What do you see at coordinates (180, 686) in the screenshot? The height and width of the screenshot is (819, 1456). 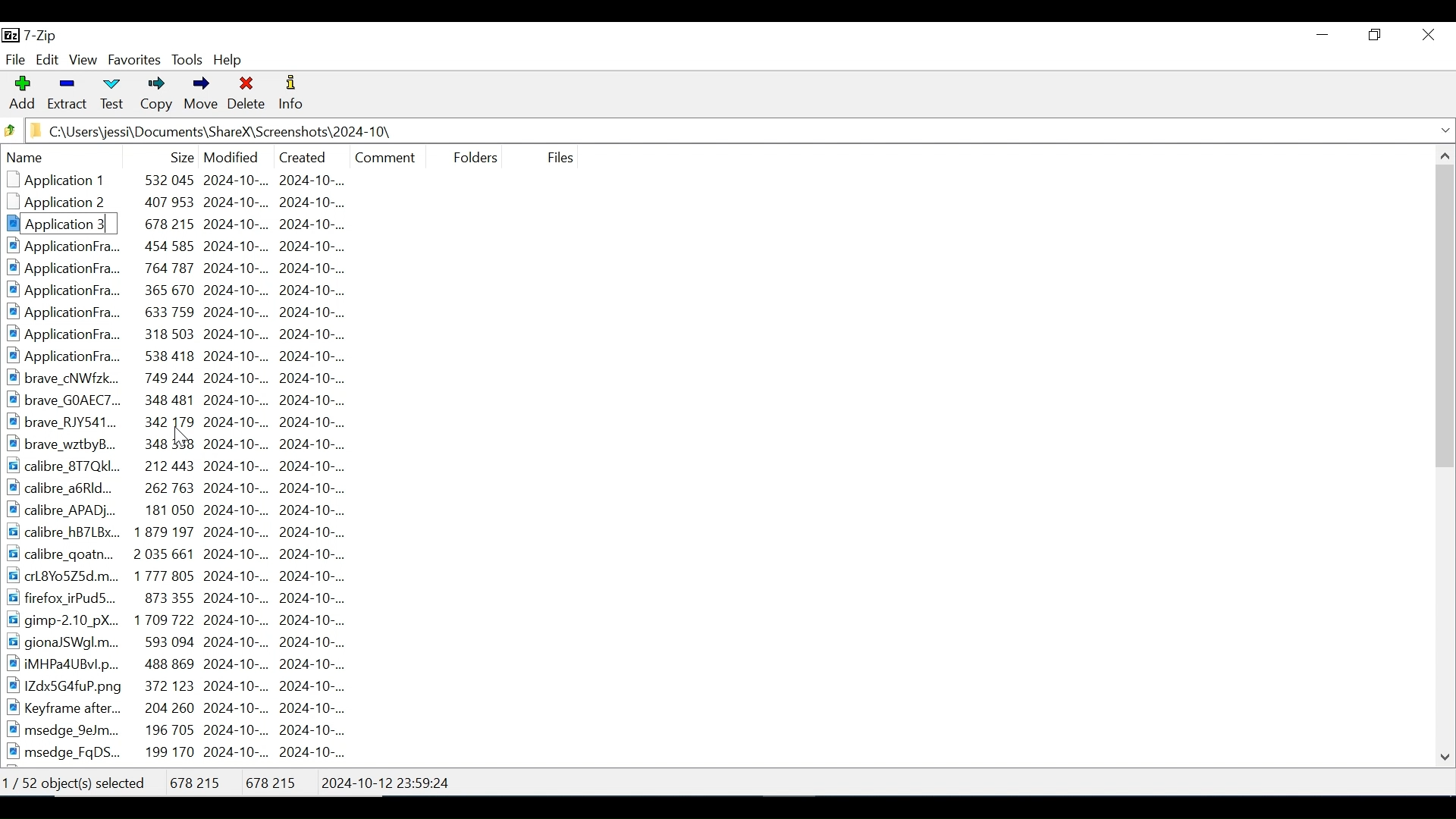 I see ` 1IZdx5G4fuP.png 372 123 2024-10-... 2024-10-..` at bounding box center [180, 686].